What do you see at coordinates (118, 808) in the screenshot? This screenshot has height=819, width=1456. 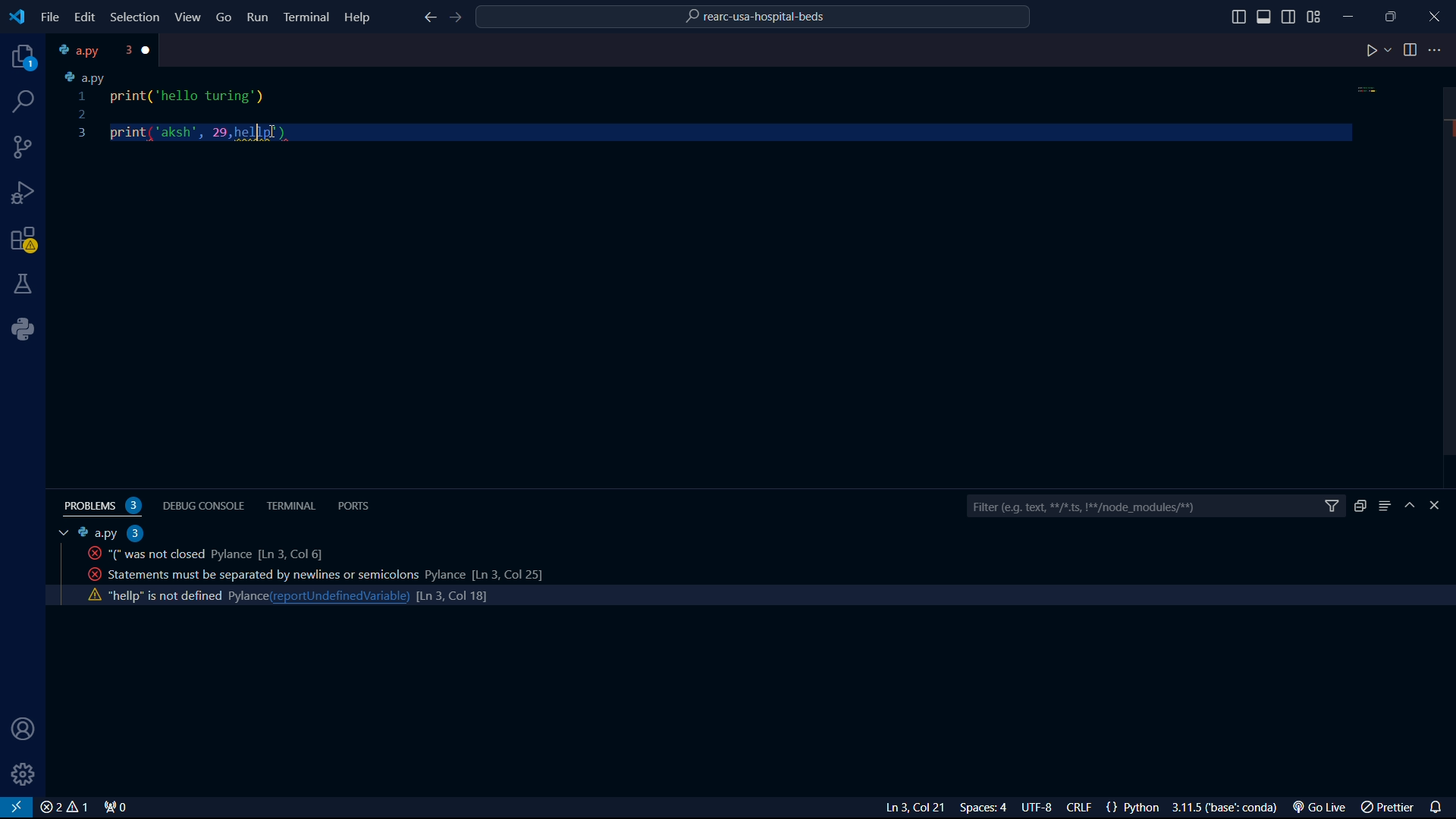 I see `connect 0` at bounding box center [118, 808].